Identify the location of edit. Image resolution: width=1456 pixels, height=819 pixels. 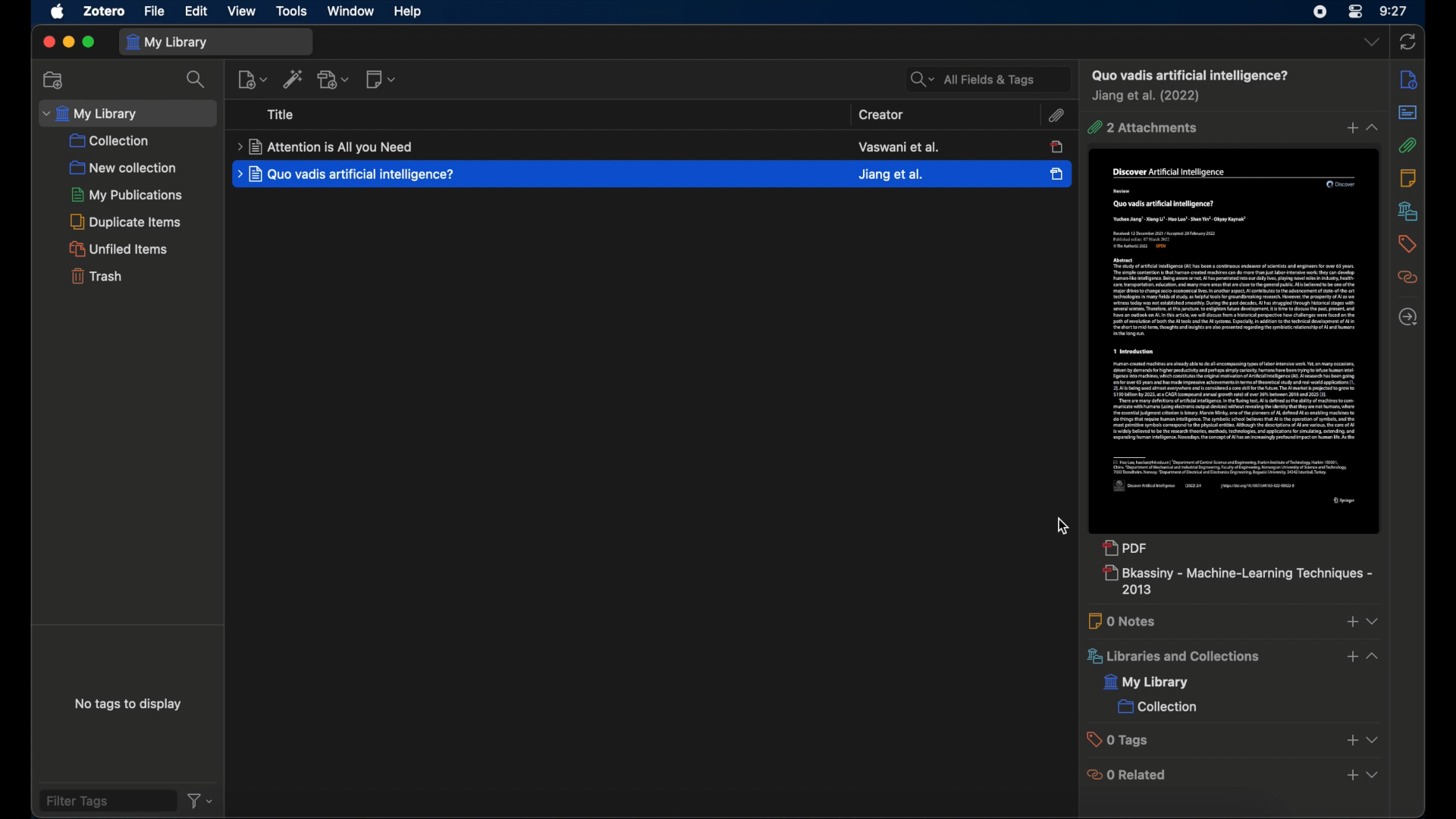
(196, 11).